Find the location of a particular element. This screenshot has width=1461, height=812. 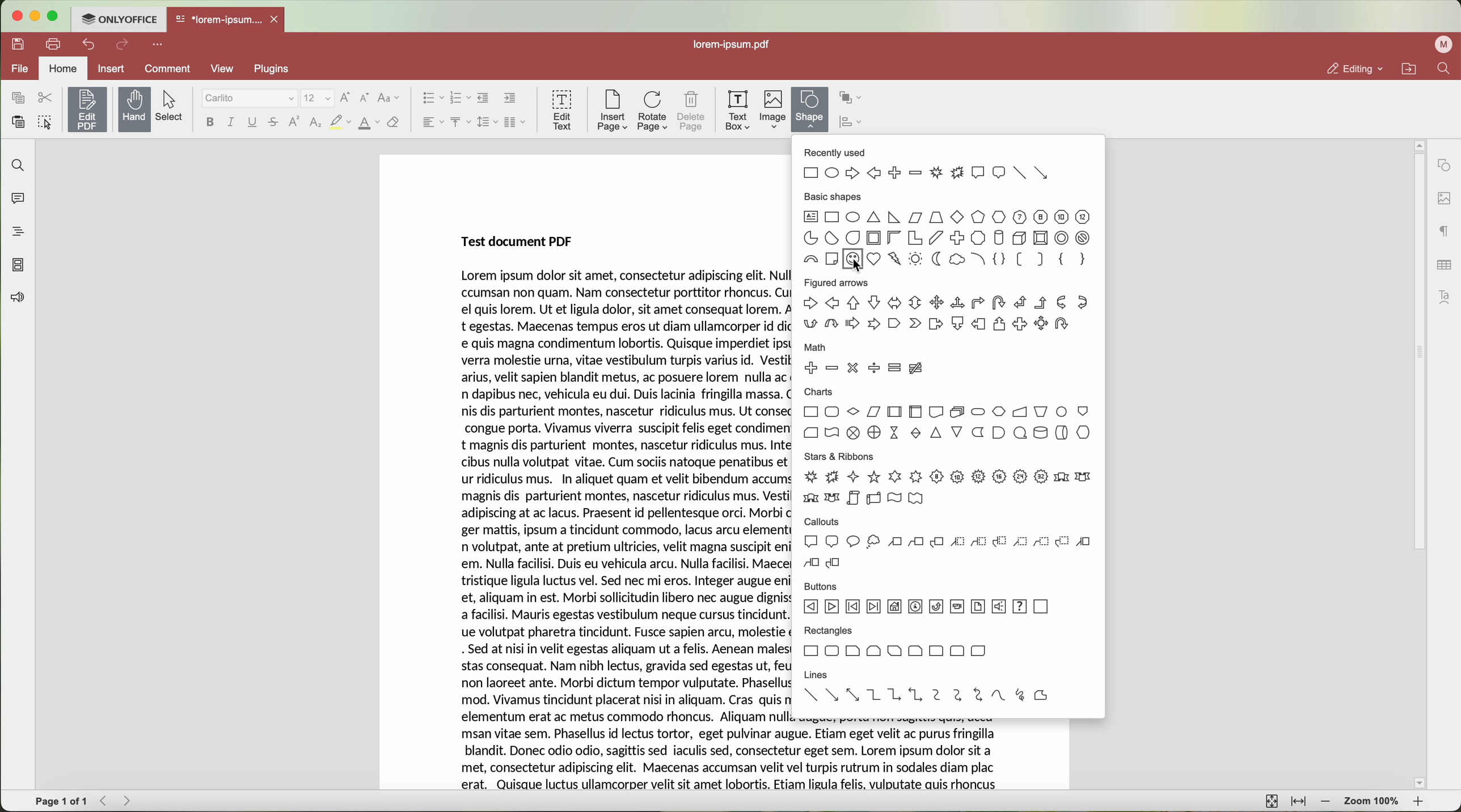

strikethrough is located at coordinates (275, 124).